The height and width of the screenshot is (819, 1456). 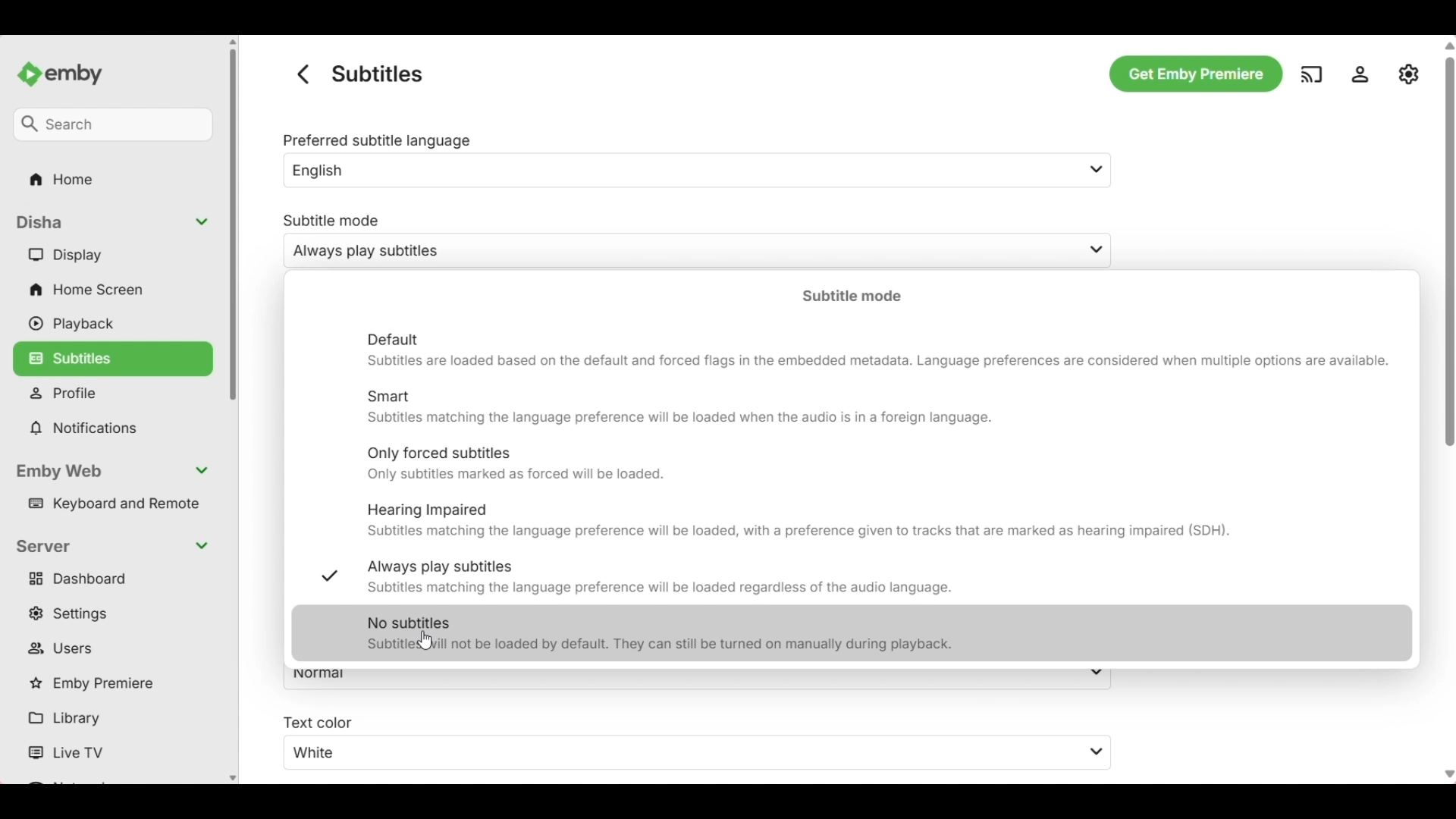 I want to click on , so click(x=698, y=753).